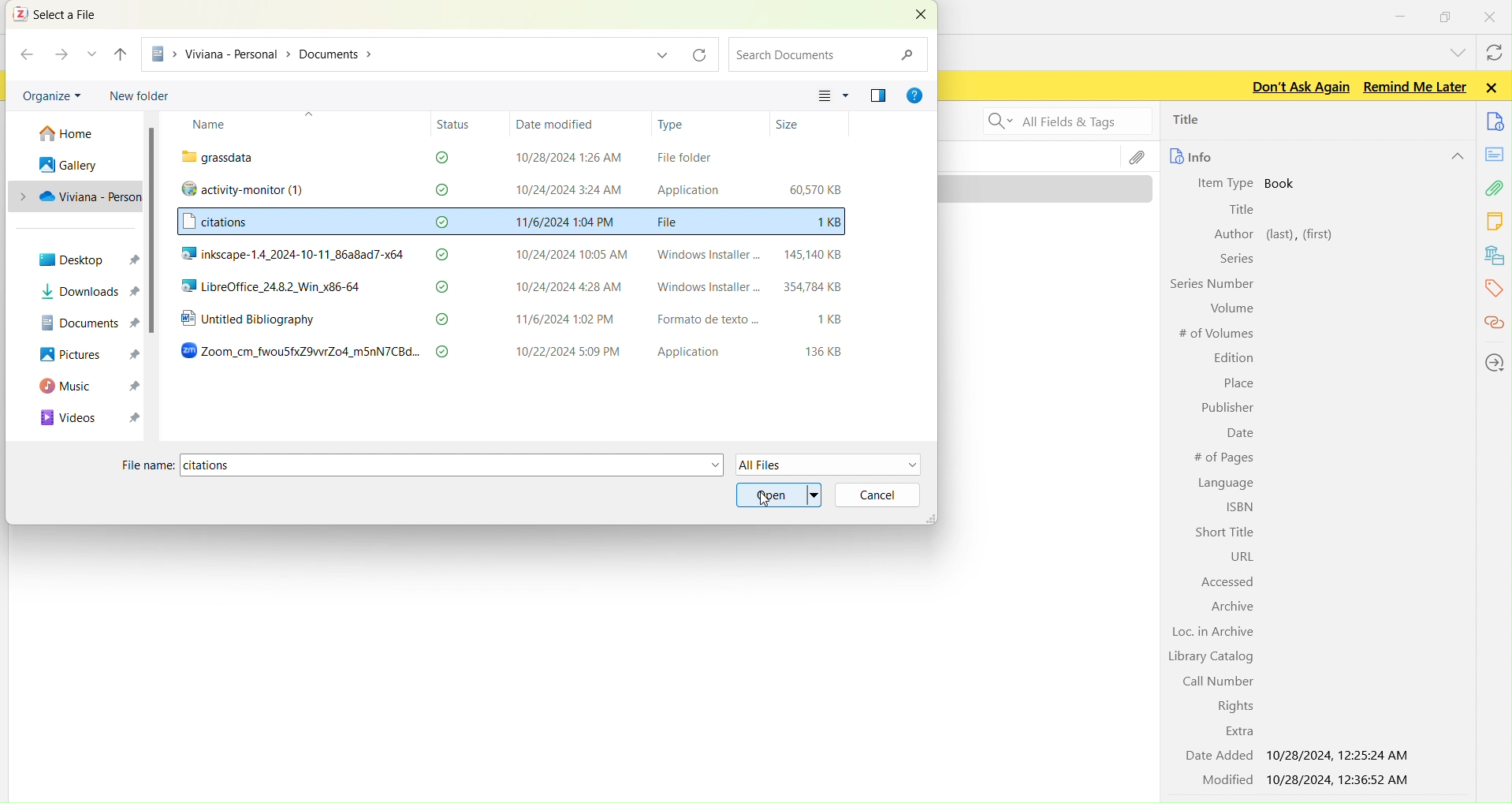 The width and height of the screenshot is (1512, 803). I want to click on CLOSE, so click(918, 17).